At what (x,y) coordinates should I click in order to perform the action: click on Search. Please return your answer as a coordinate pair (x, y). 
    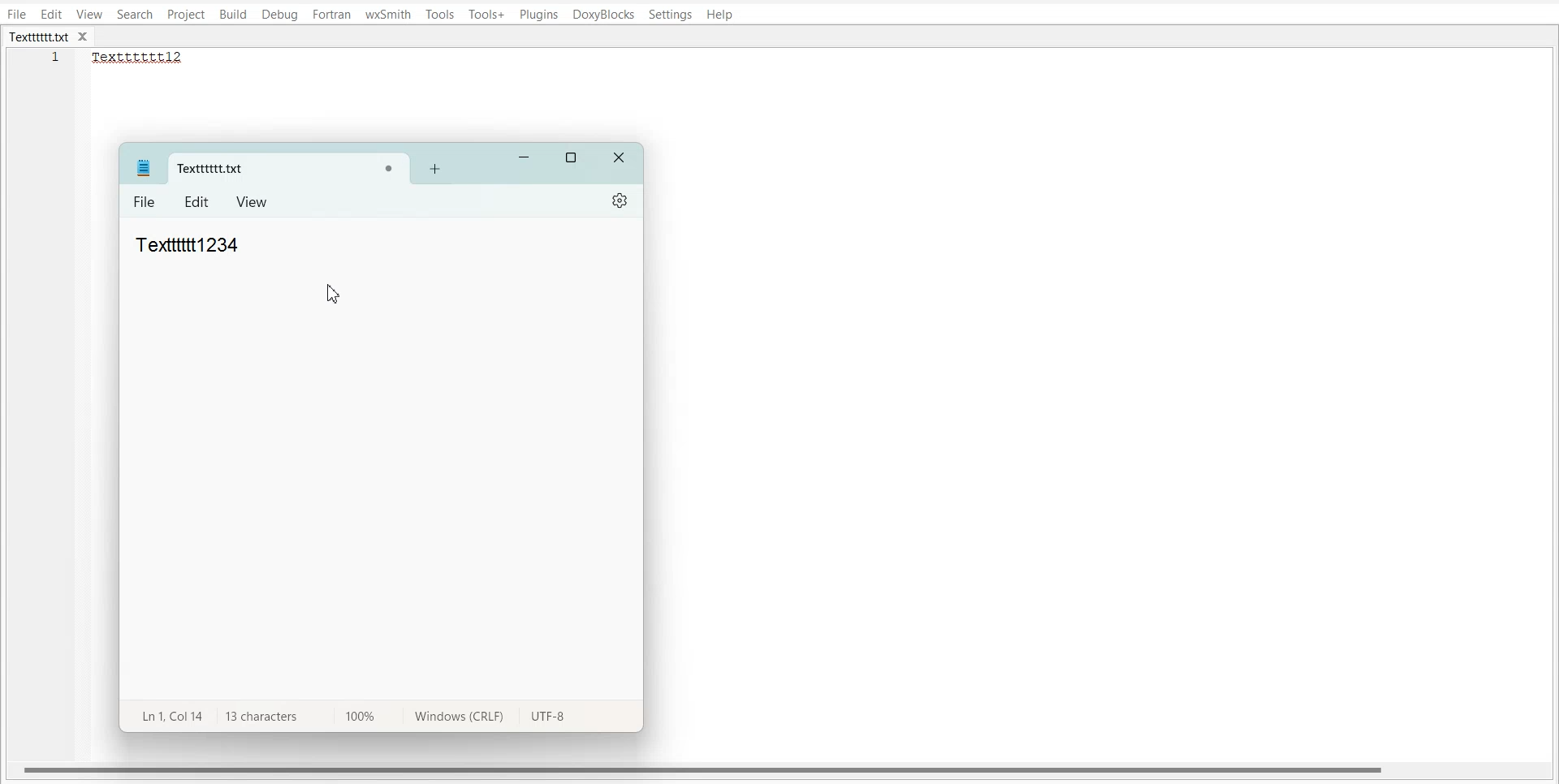
    Looking at the image, I should click on (136, 14).